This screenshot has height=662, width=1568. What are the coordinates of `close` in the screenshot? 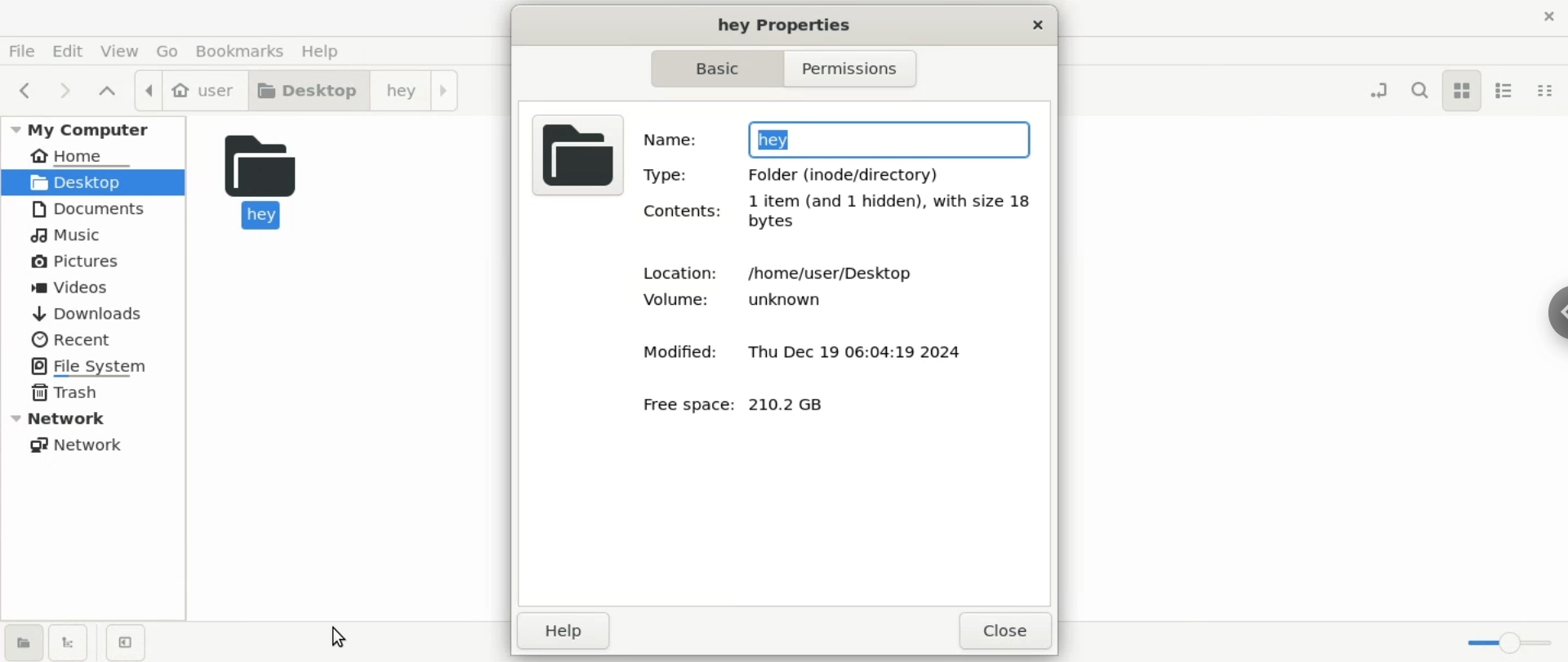 It's located at (1002, 631).